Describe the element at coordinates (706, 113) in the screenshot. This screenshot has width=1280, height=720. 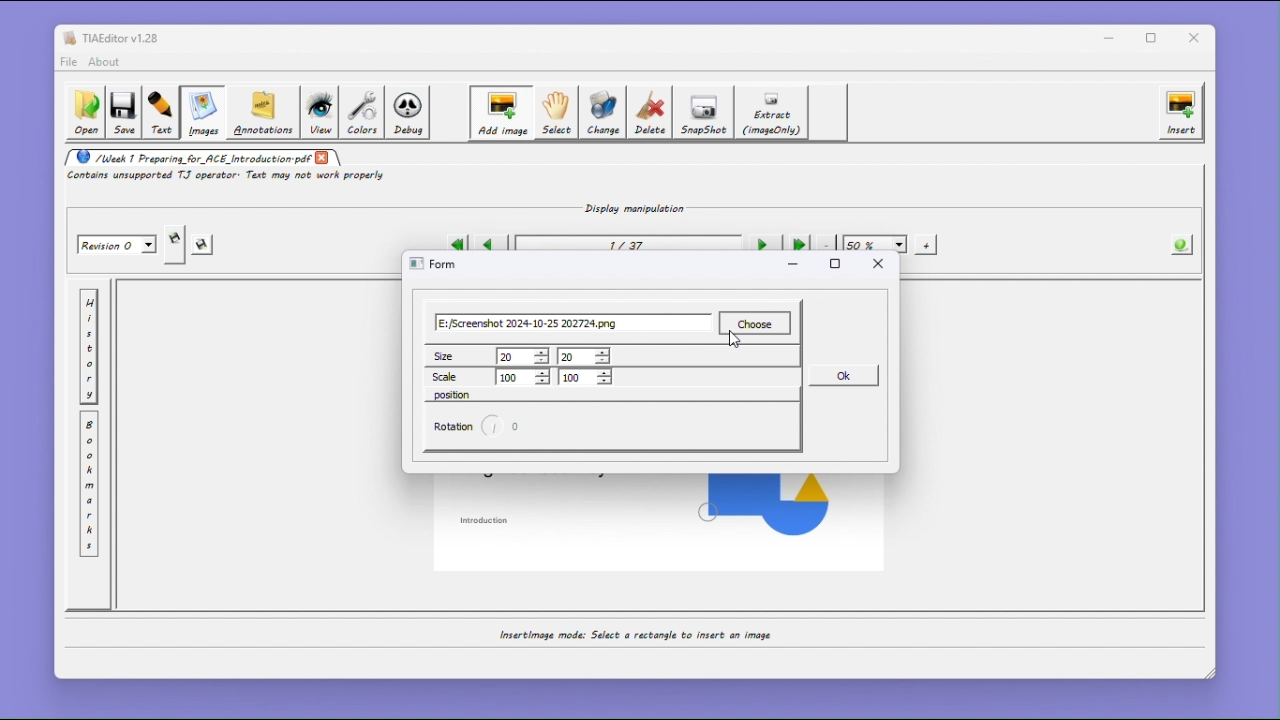
I see `SnapShot` at that location.